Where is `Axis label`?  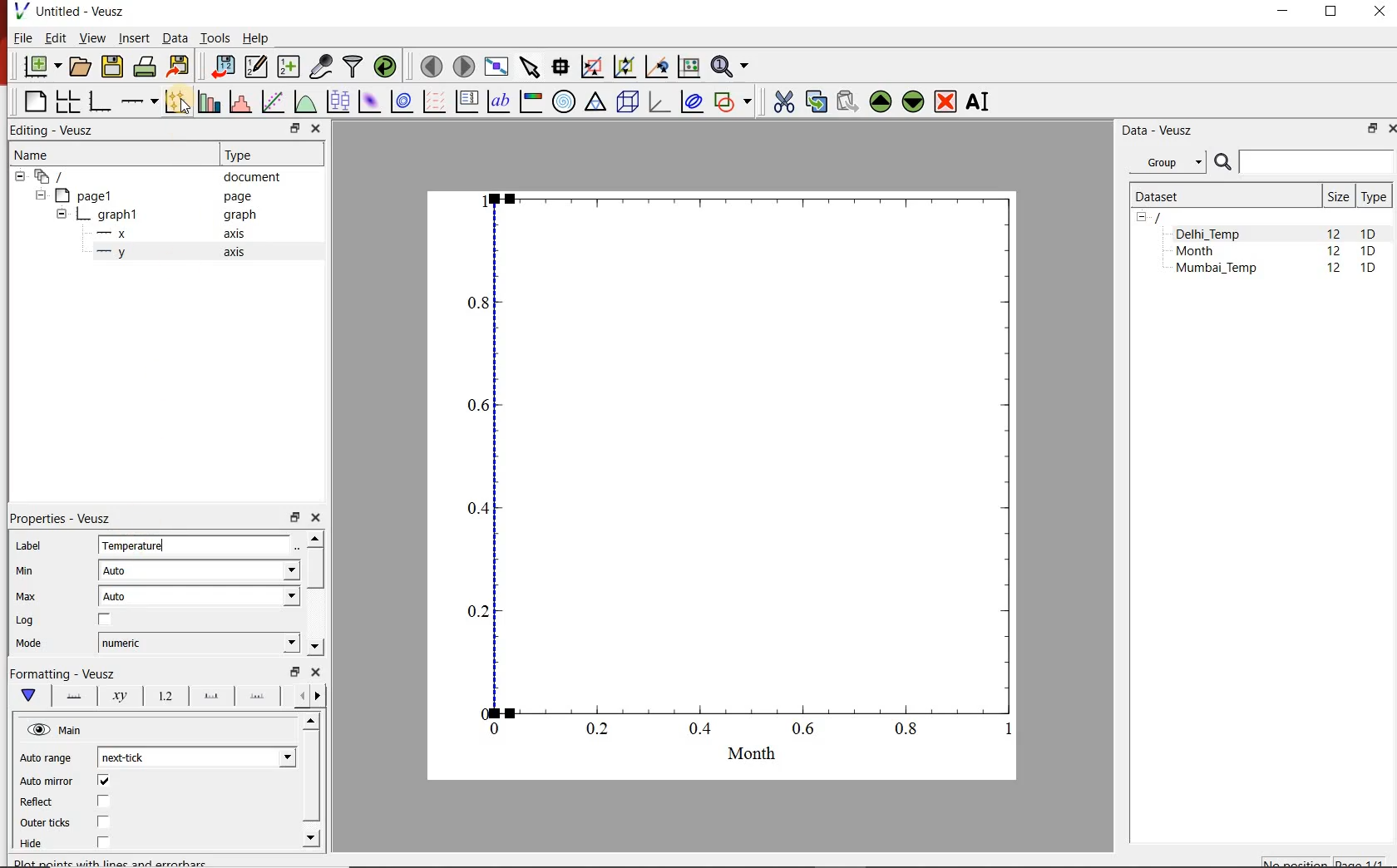
Axis label is located at coordinates (116, 696).